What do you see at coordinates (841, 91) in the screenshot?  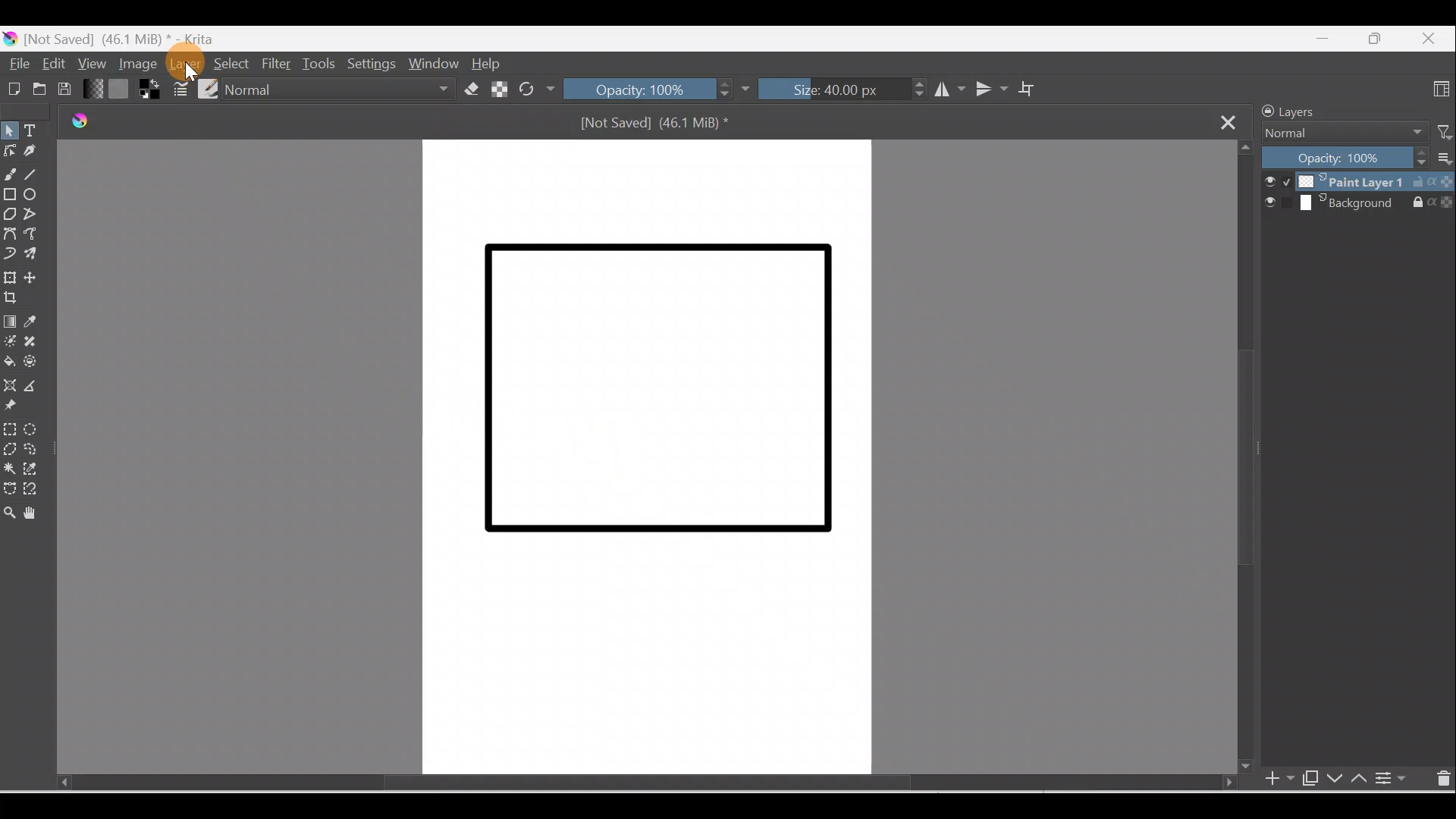 I see `Size:40:00px` at bounding box center [841, 91].